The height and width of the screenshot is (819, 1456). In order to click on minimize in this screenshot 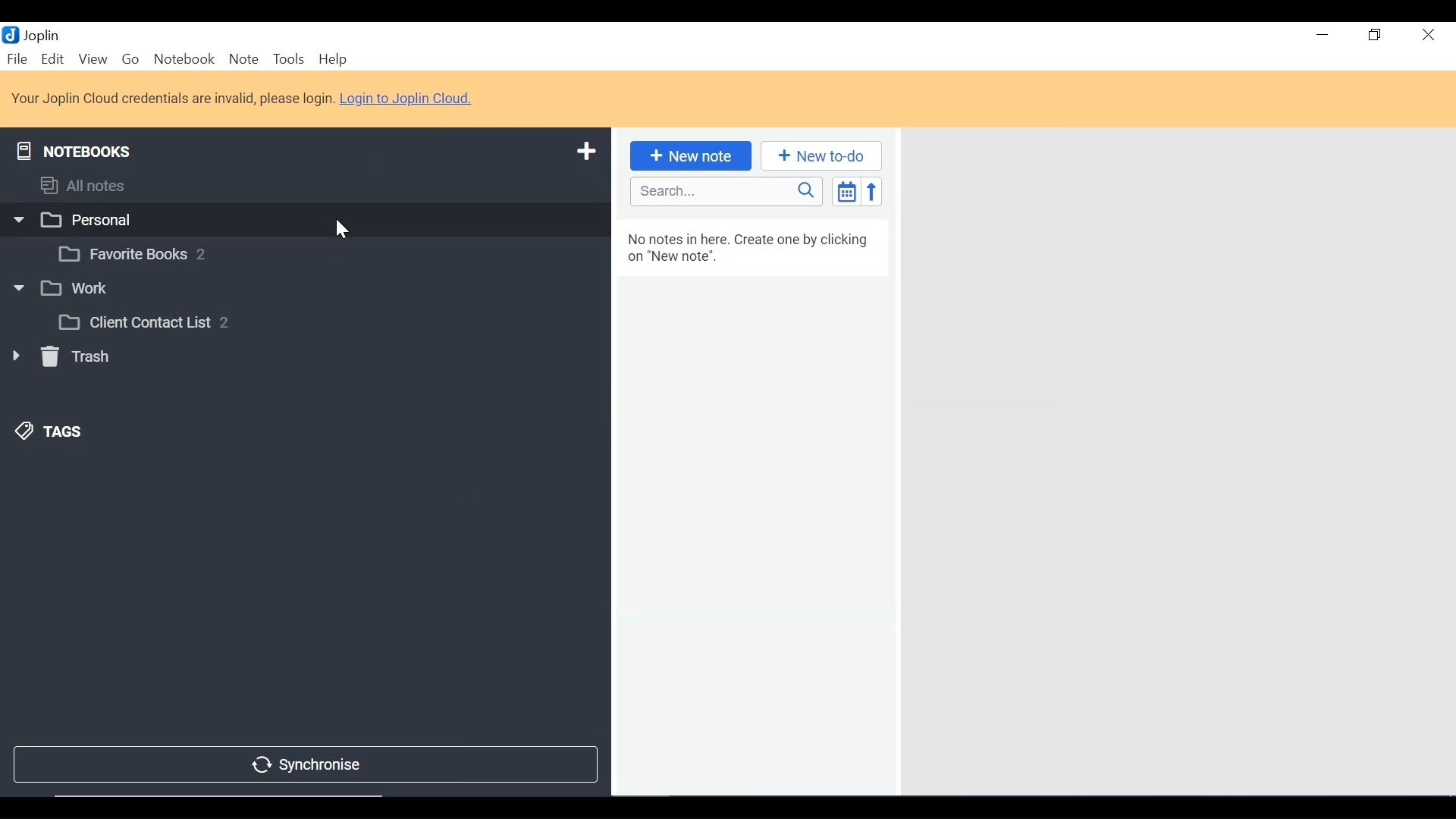, I will do `click(1323, 37)`.